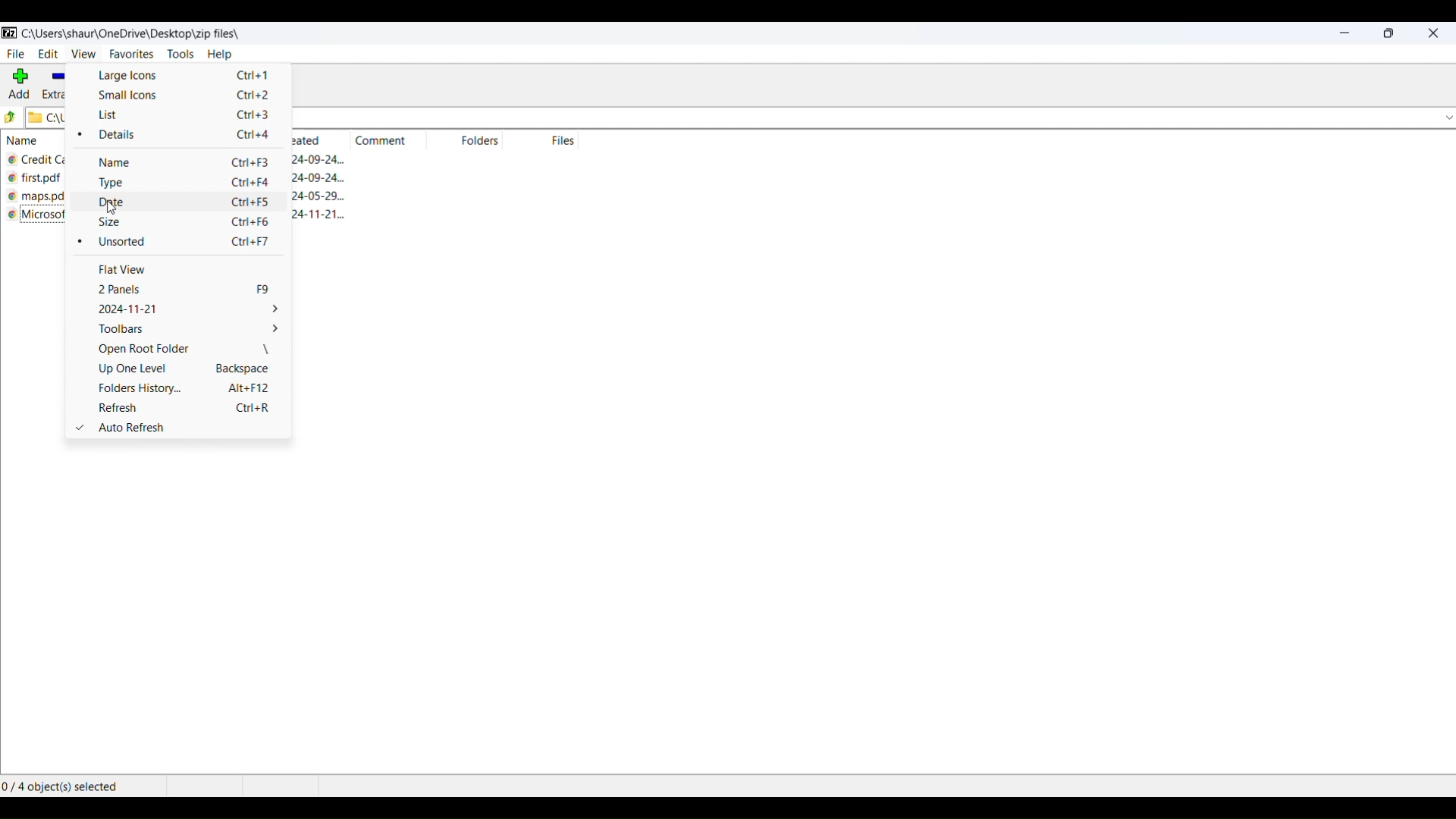  What do you see at coordinates (184, 430) in the screenshot?
I see `auto refresh` at bounding box center [184, 430].